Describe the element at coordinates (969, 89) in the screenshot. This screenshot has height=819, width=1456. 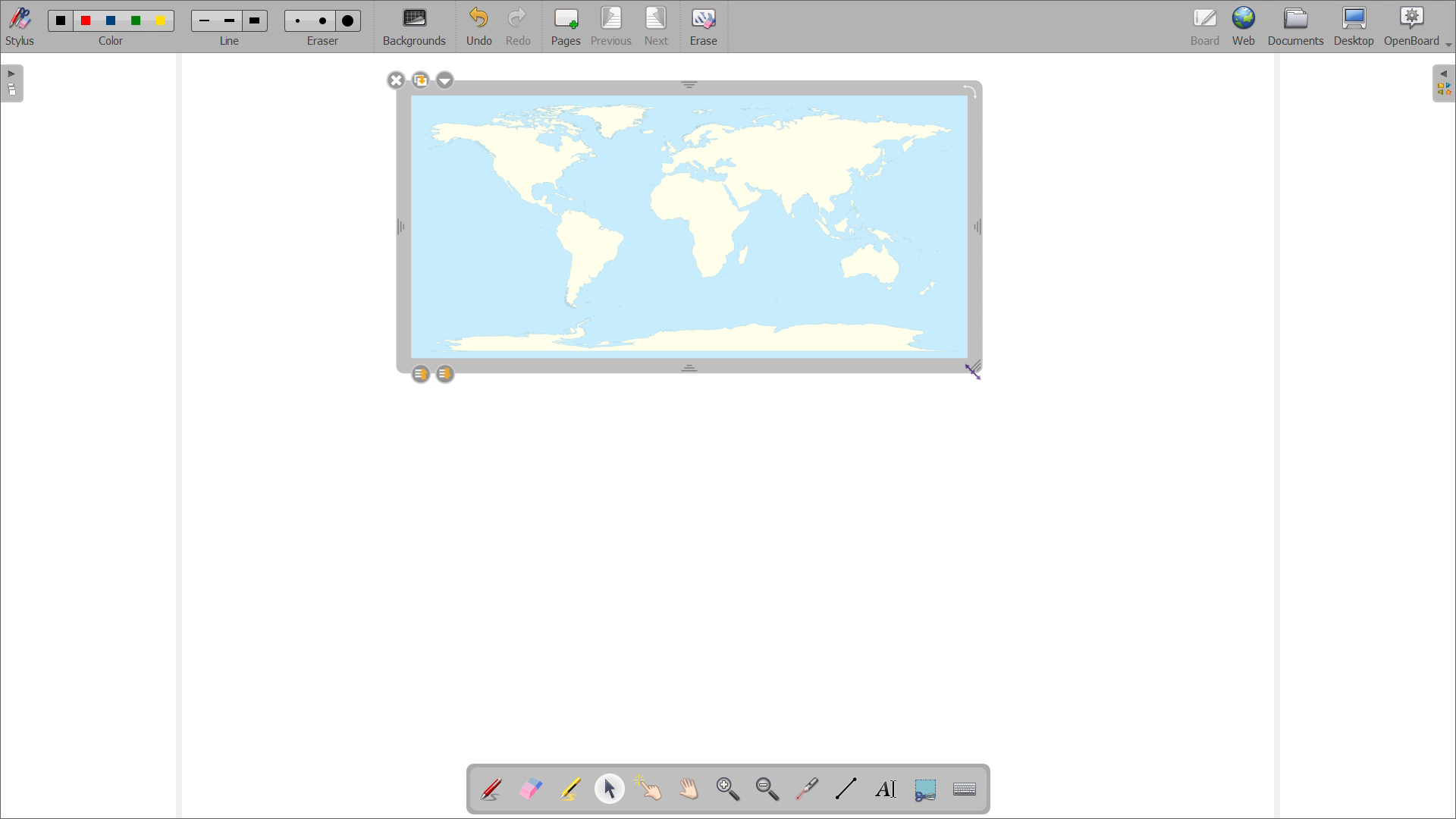
I see `rotate` at that location.